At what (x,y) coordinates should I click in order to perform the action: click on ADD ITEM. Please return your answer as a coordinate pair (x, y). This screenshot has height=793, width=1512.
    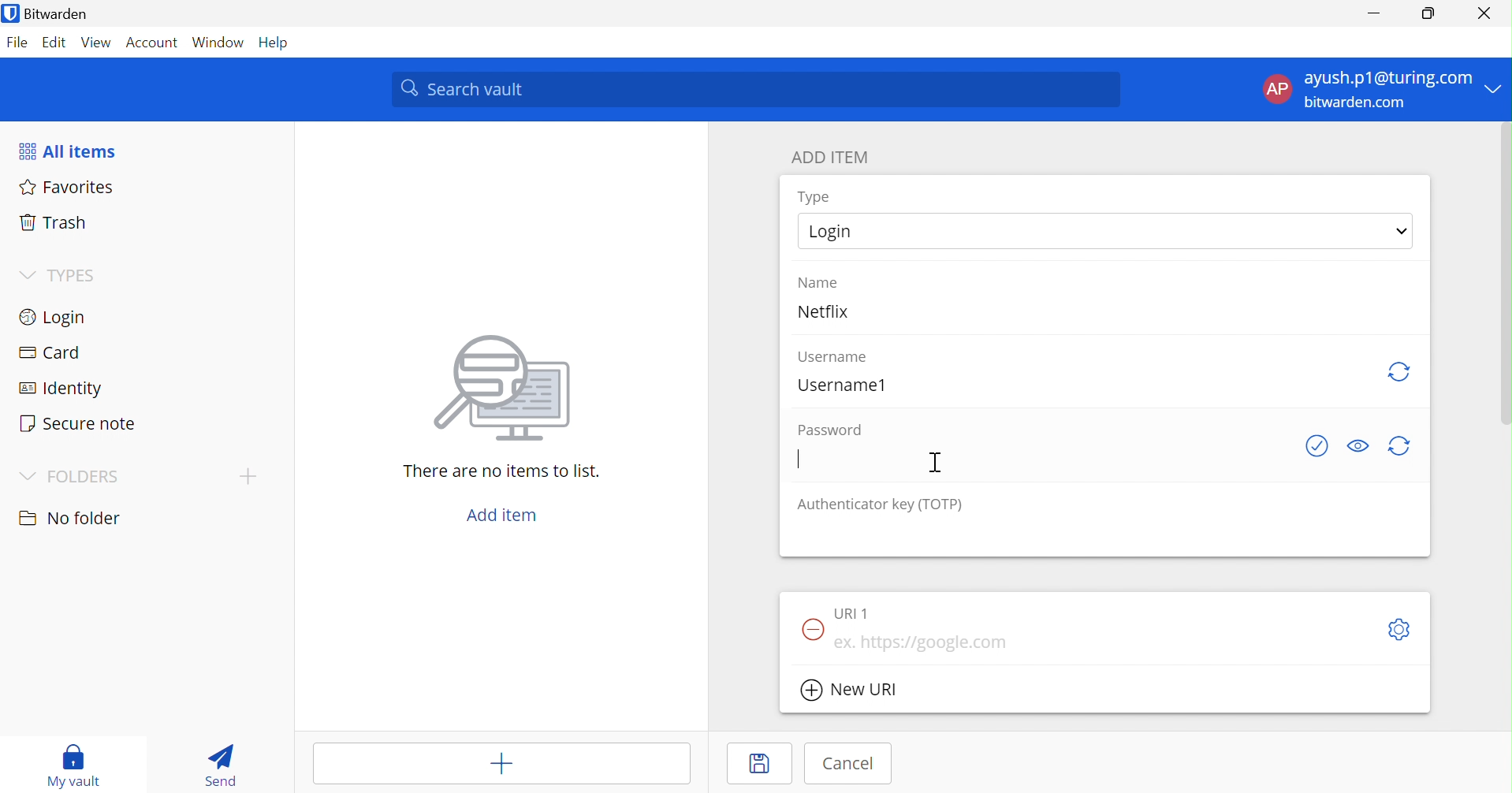
    Looking at the image, I should click on (829, 157).